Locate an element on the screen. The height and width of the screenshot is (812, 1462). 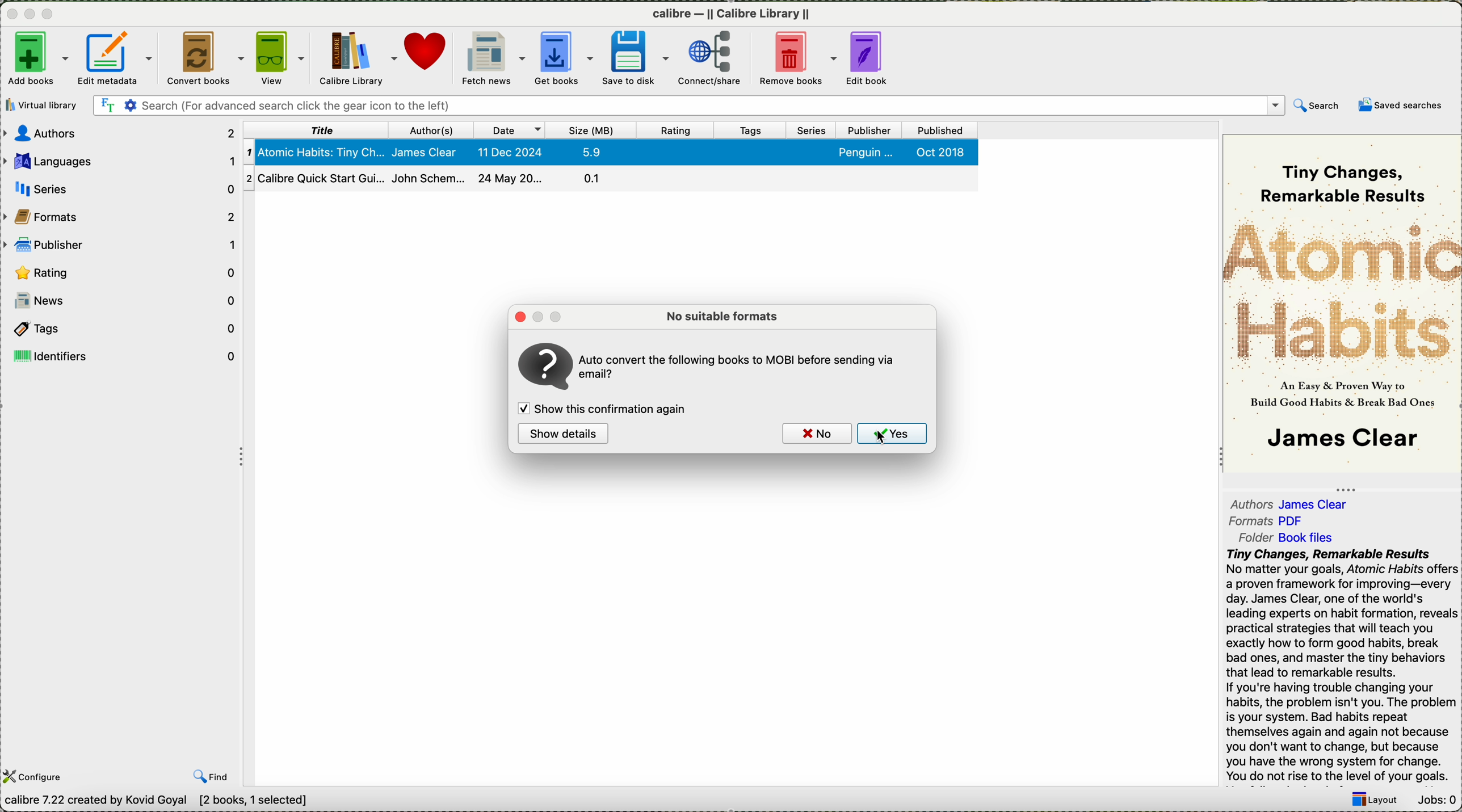
search bar is located at coordinates (715, 106).